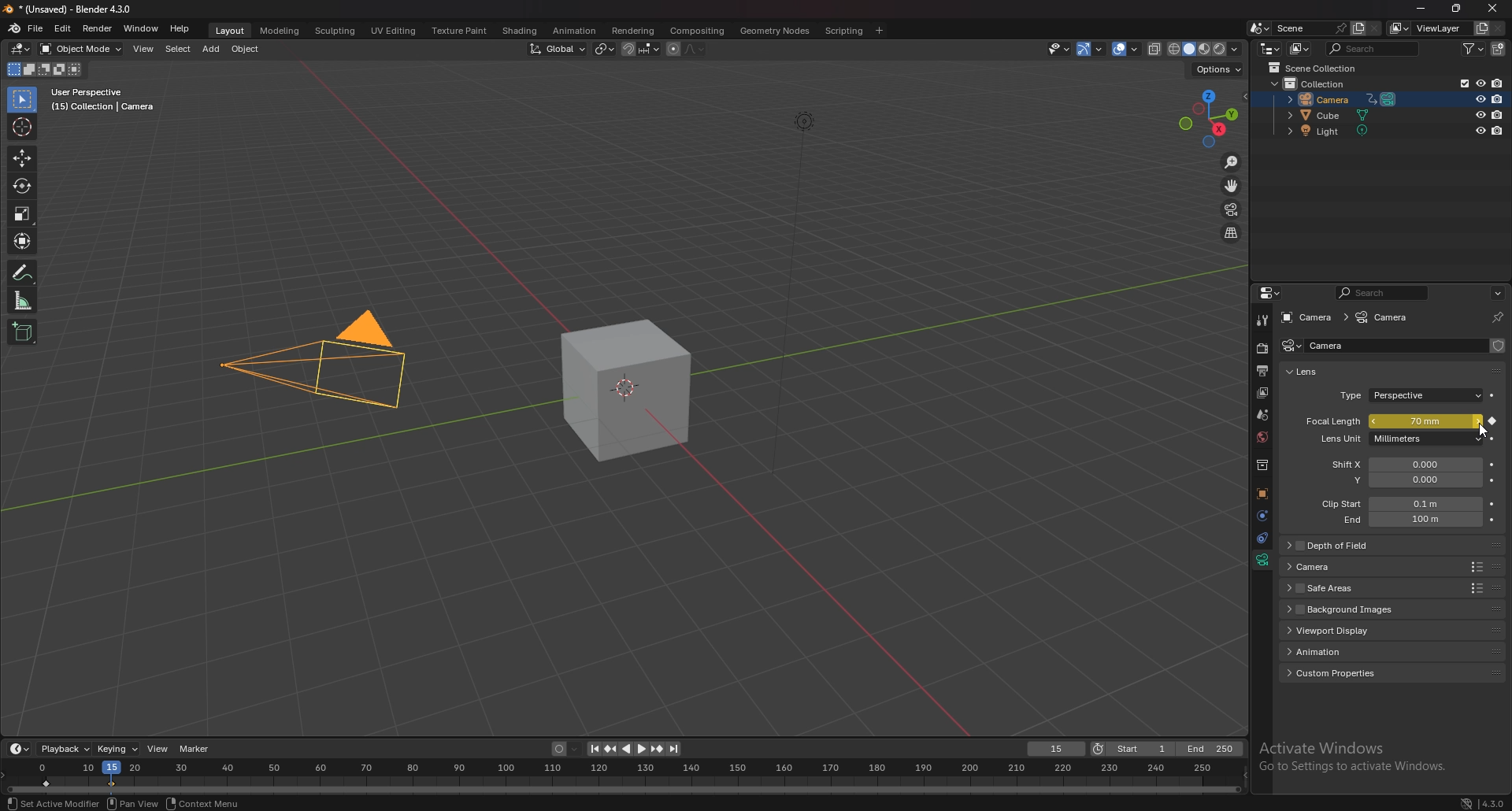 Image resolution: width=1512 pixels, height=811 pixels. I want to click on geometry nodes, so click(773, 30).